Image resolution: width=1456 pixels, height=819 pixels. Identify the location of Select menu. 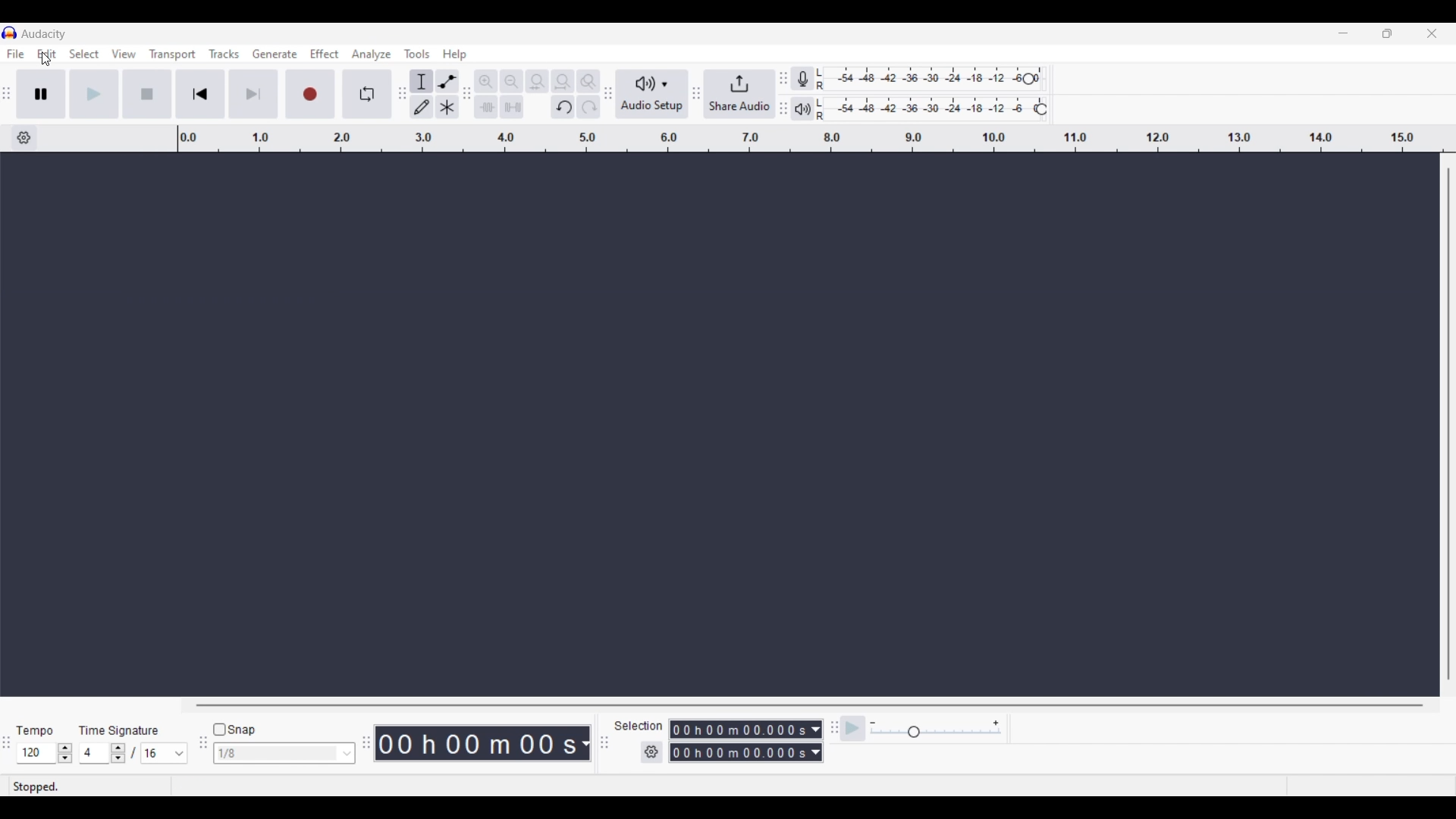
(84, 55).